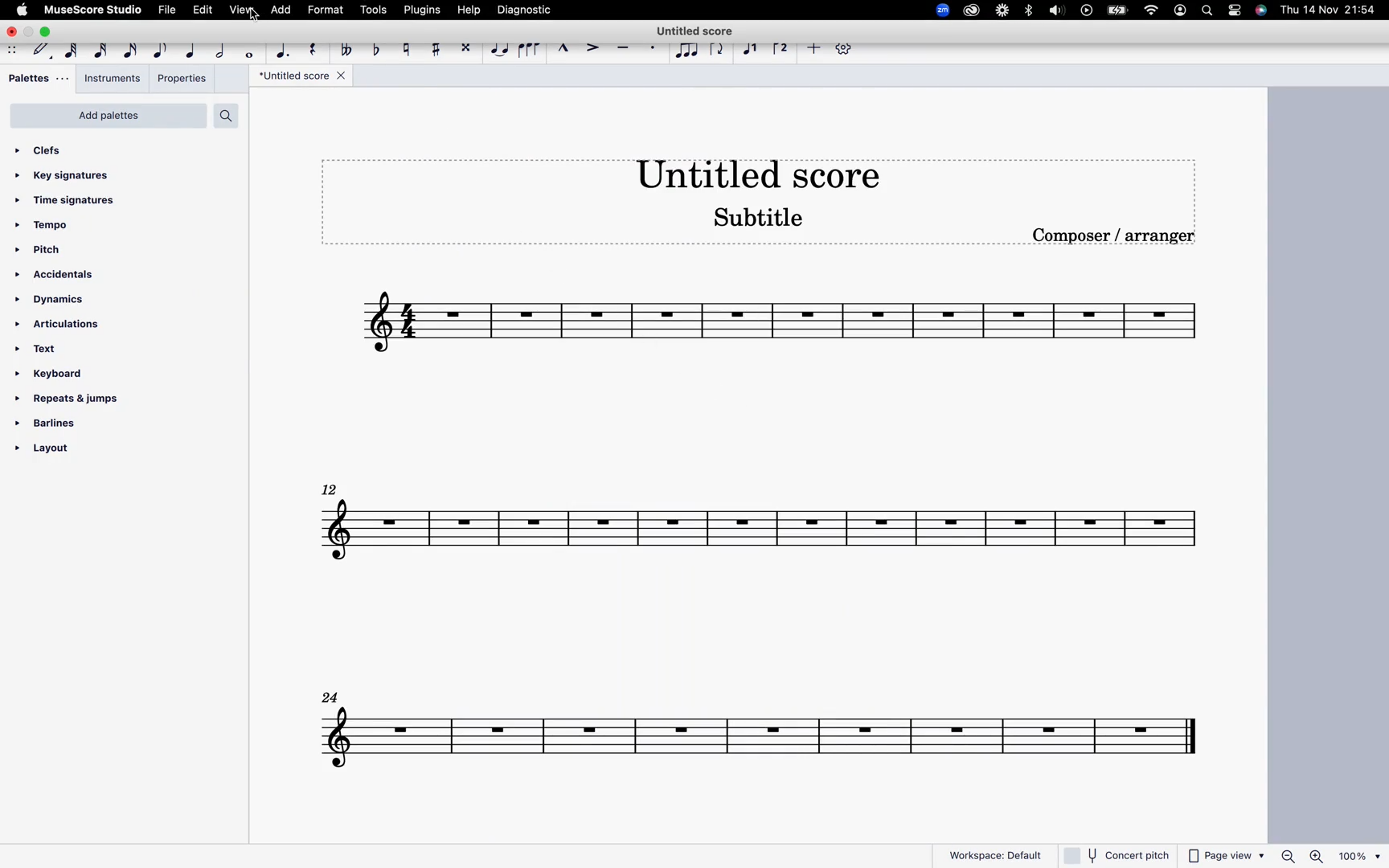  Describe the element at coordinates (469, 11) in the screenshot. I see `help` at that location.